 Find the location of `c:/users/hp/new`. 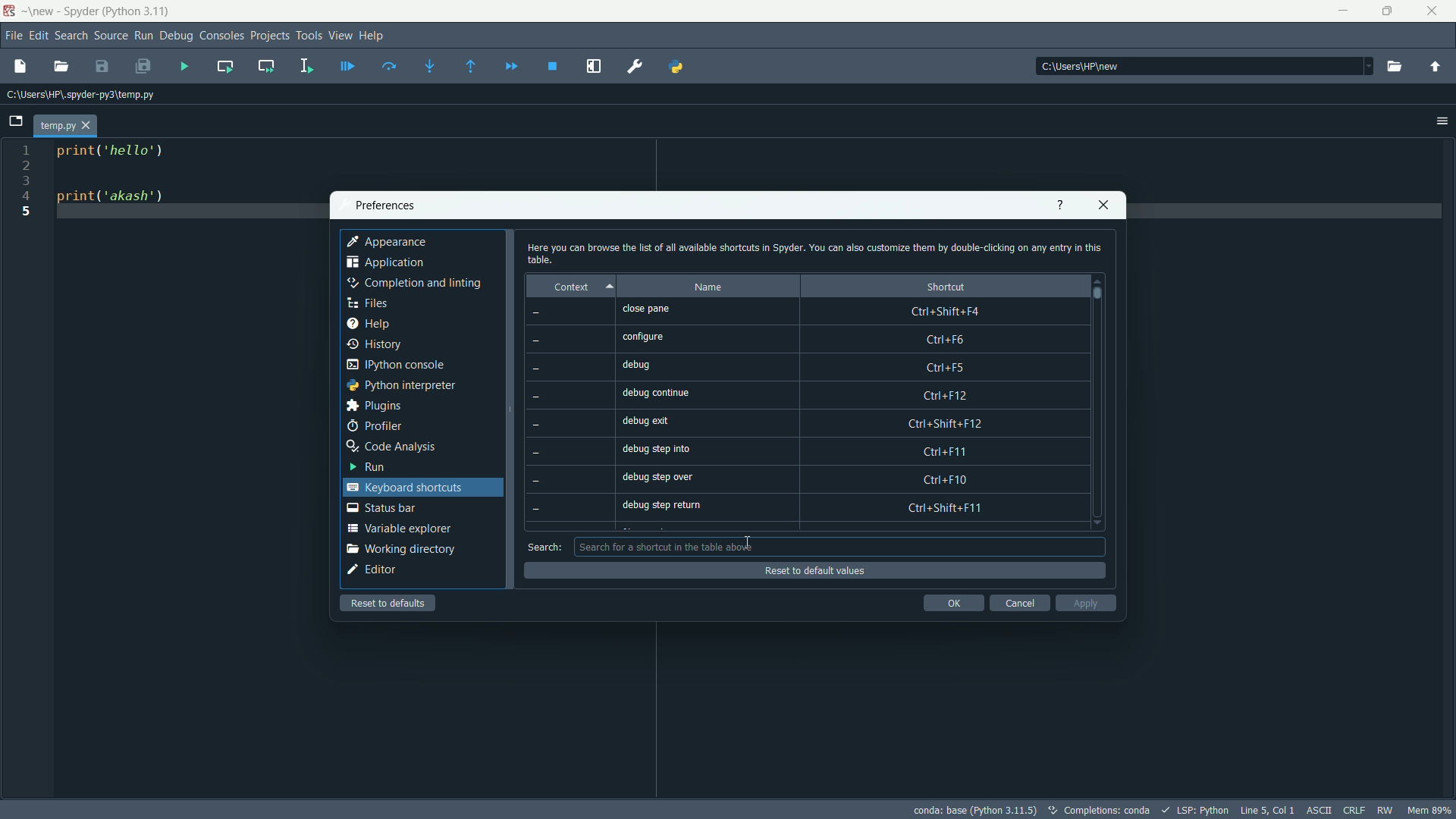

c:/users/hp/new is located at coordinates (1203, 66).